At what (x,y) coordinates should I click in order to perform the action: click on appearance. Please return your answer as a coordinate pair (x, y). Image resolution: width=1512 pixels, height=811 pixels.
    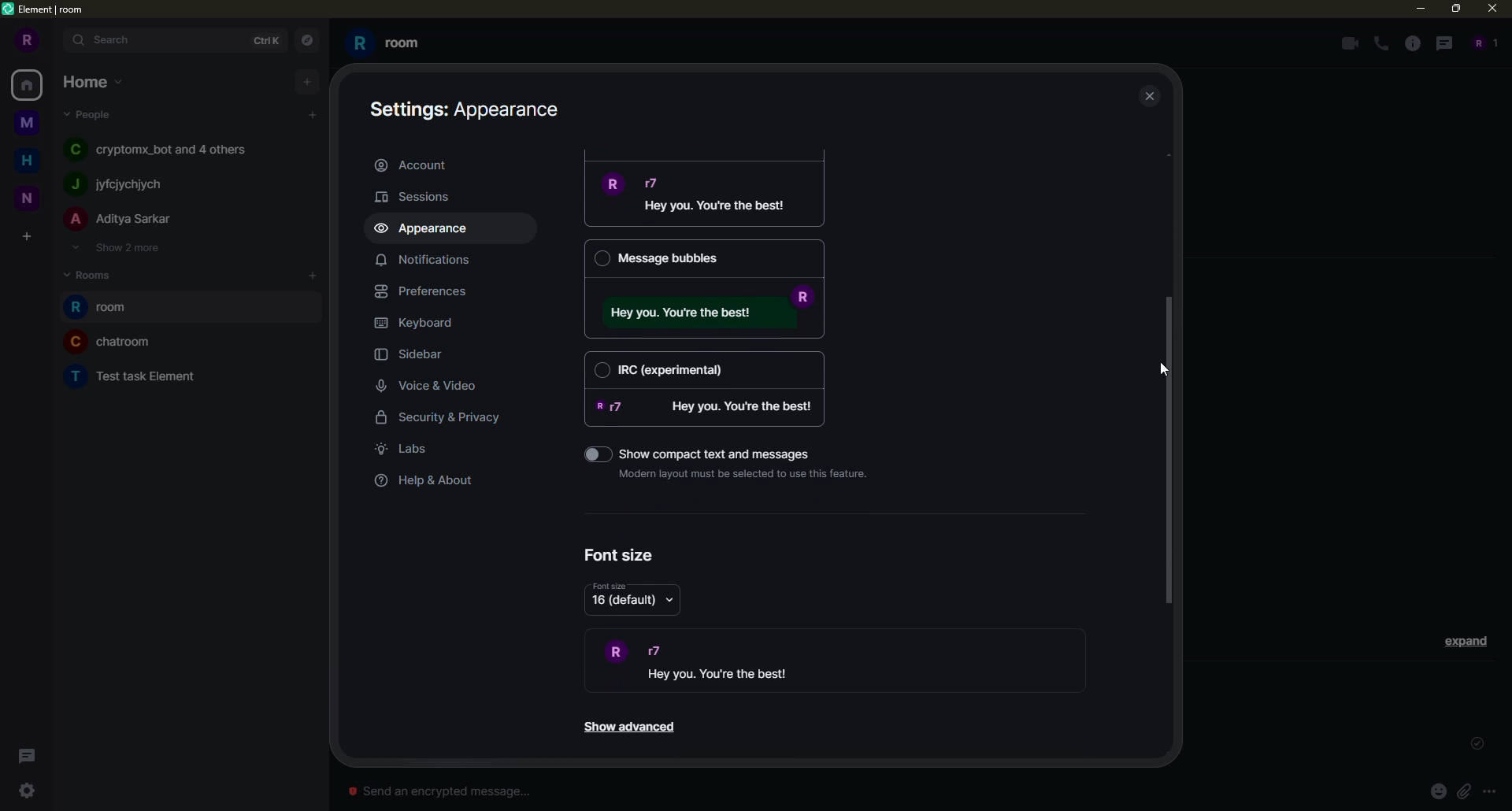
    Looking at the image, I should click on (428, 229).